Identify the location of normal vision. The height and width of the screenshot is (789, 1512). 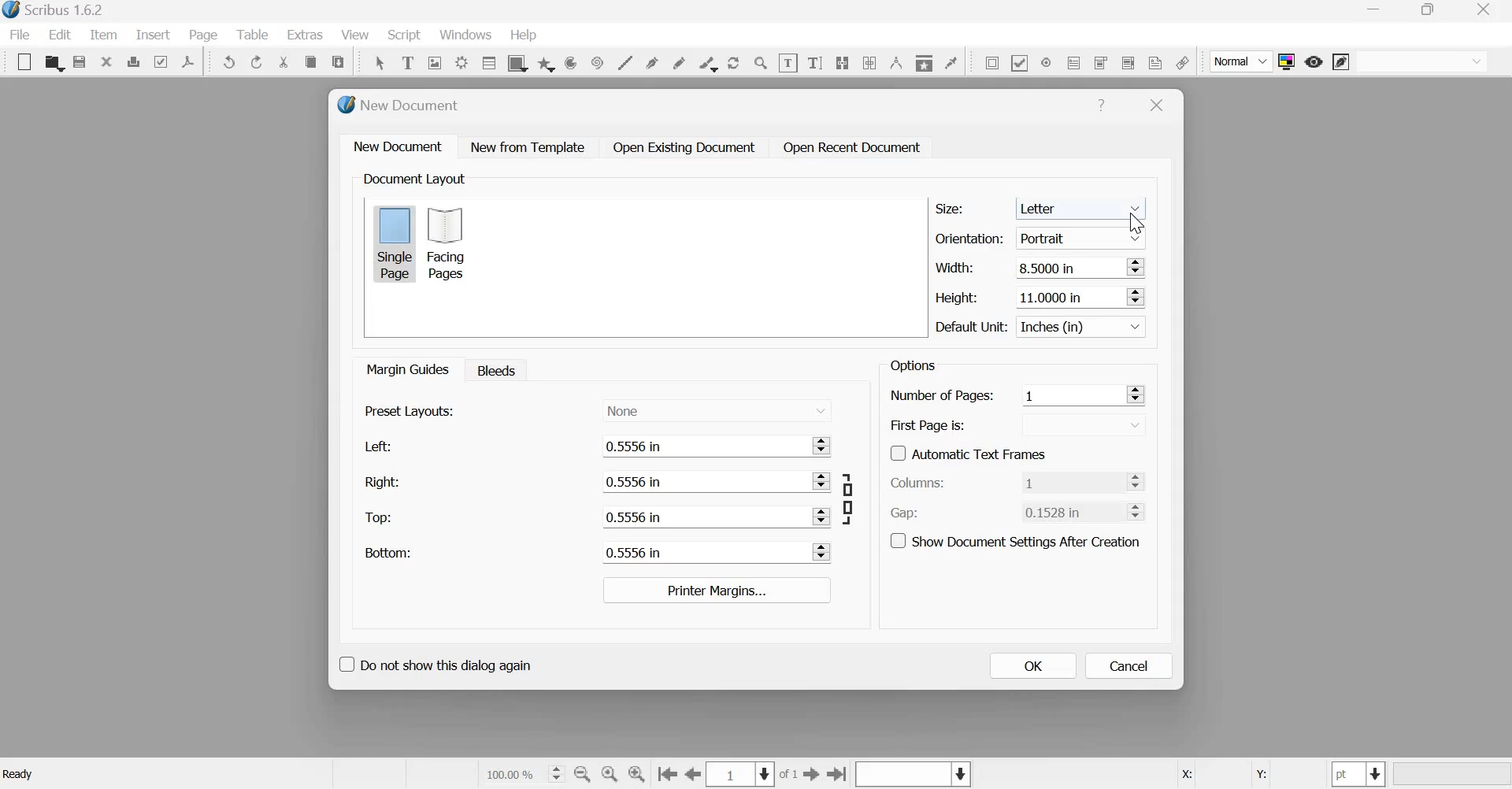
(1422, 61).